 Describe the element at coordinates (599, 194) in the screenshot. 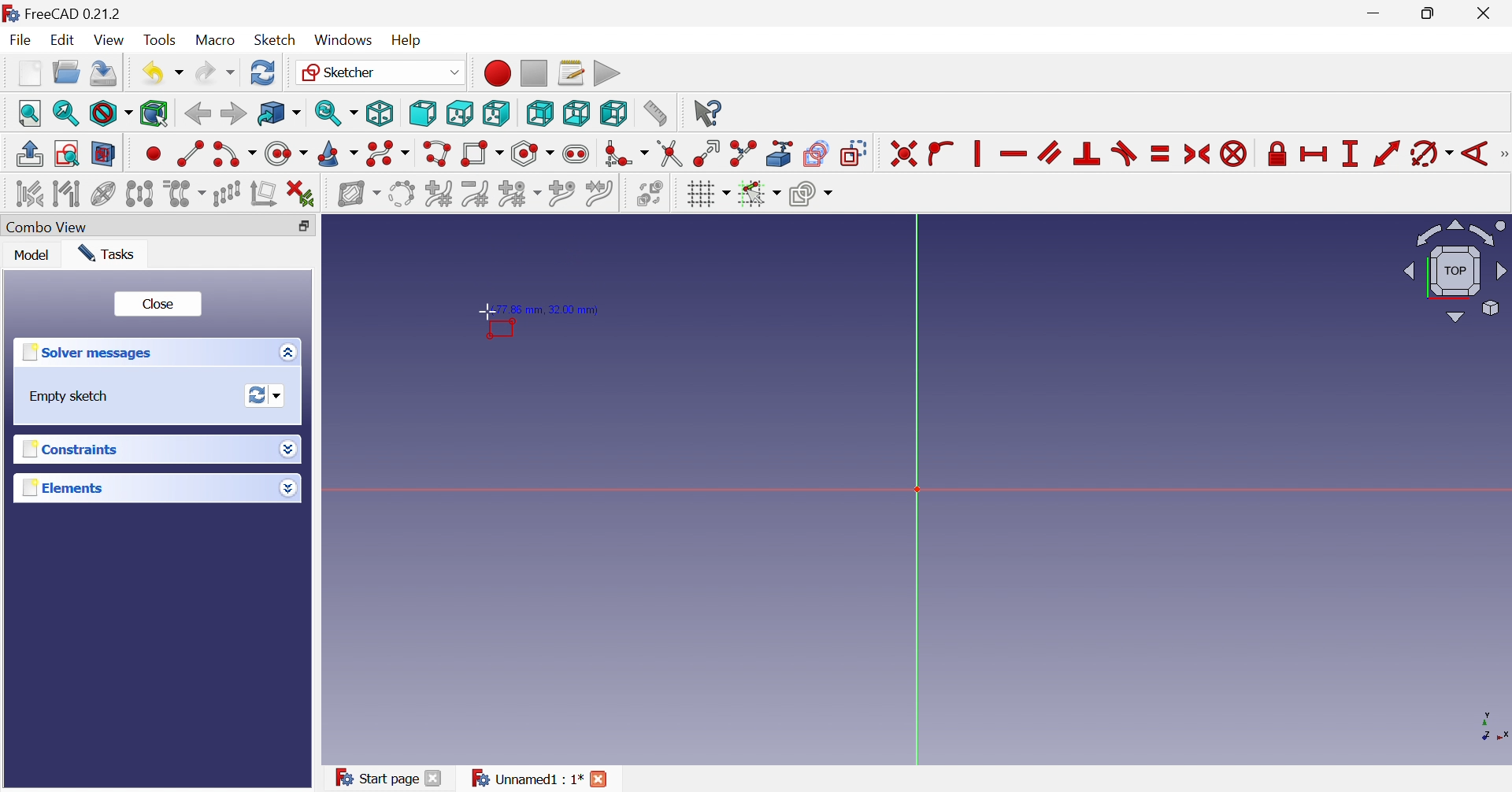

I see `Join curves` at that location.